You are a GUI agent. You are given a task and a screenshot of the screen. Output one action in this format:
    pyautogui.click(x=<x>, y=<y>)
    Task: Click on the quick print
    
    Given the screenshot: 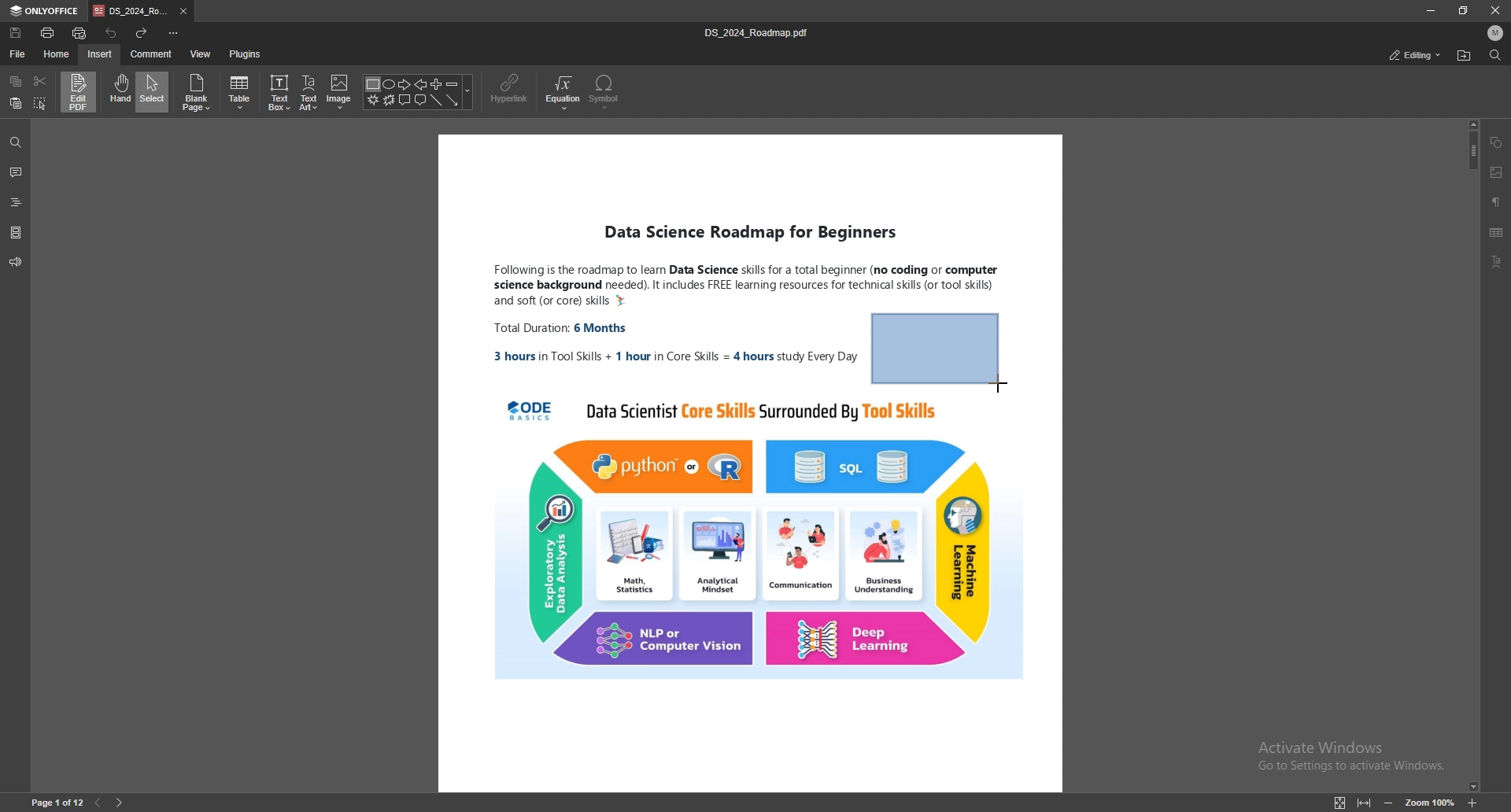 What is the action you would take?
    pyautogui.click(x=83, y=31)
    